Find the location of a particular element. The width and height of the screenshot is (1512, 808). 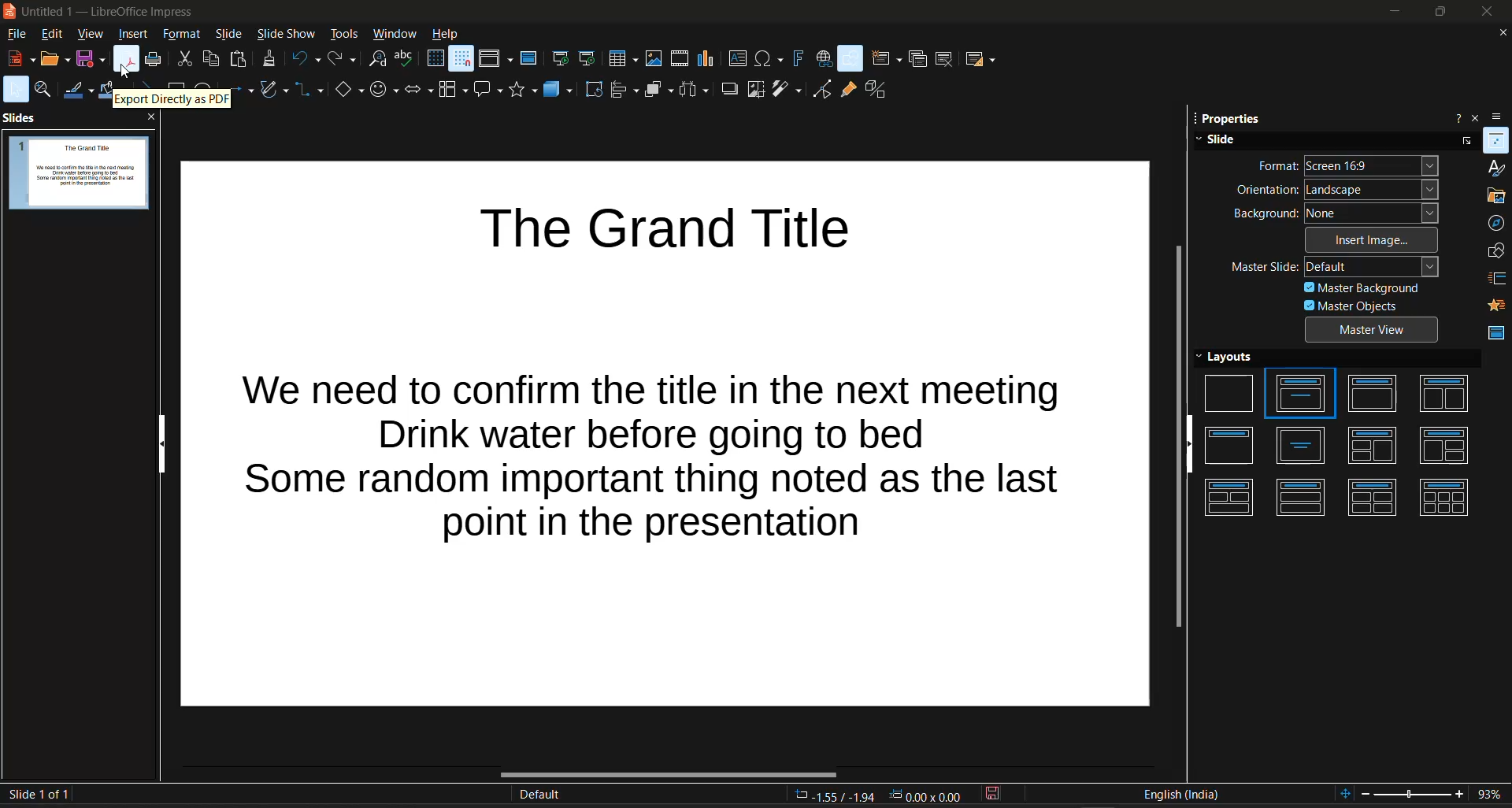

close is located at coordinates (1488, 12).